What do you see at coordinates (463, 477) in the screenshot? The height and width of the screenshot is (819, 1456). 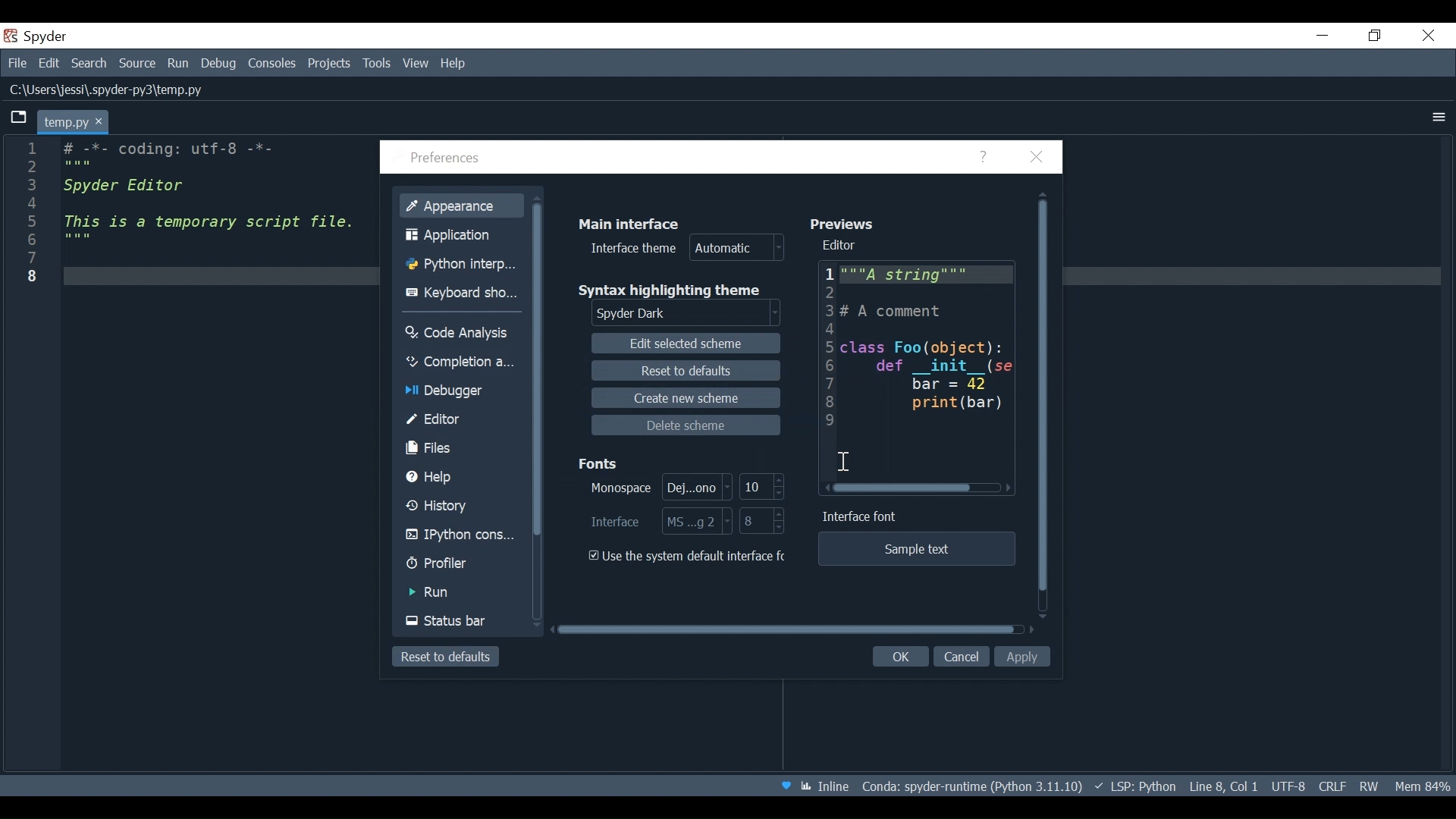 I see `Help` at bounding box center [463, 477].